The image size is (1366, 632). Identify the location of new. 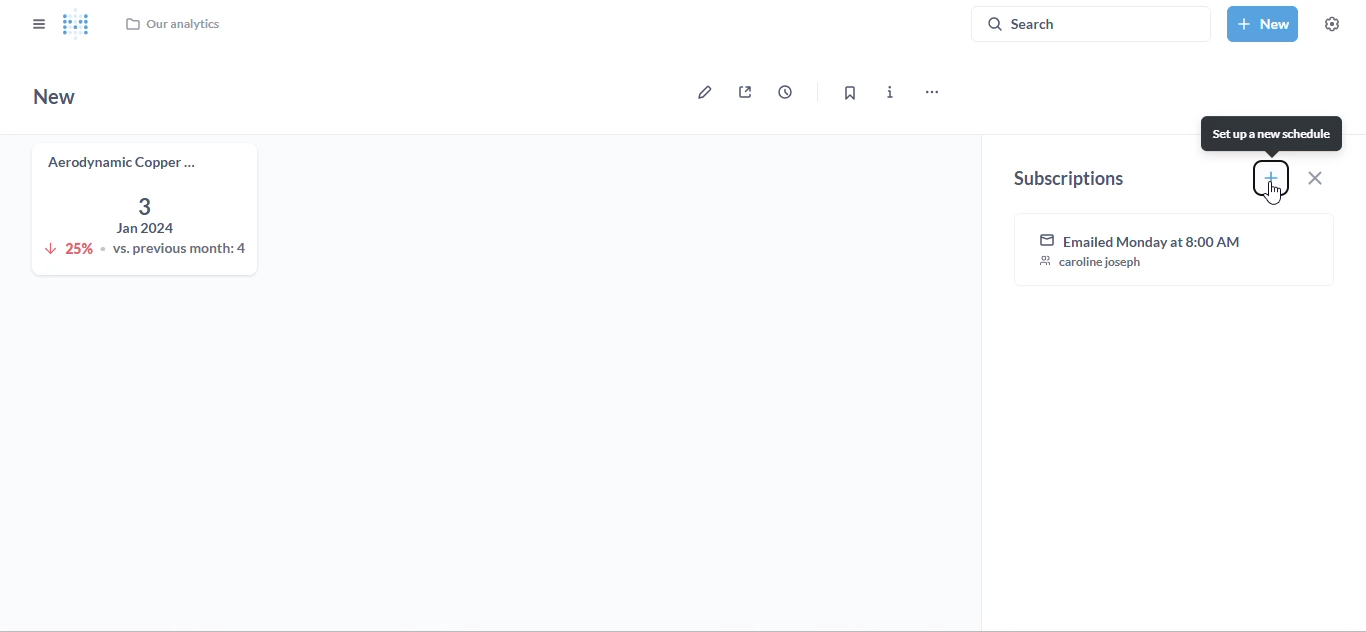
(55, 96).